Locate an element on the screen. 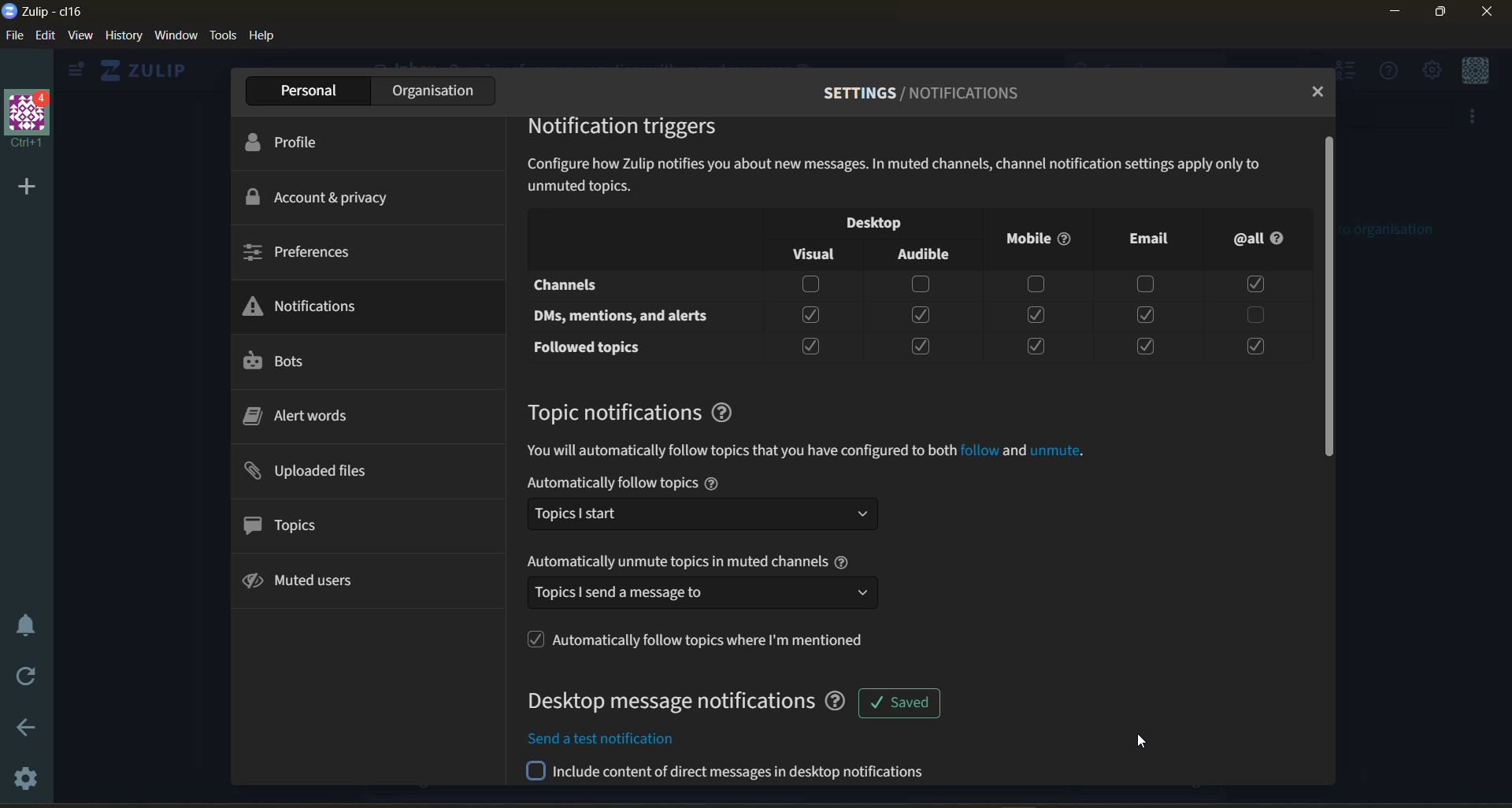 The width and height of the screenshot is (1512, 808). Minimize is located at coordinates (1395, 13).